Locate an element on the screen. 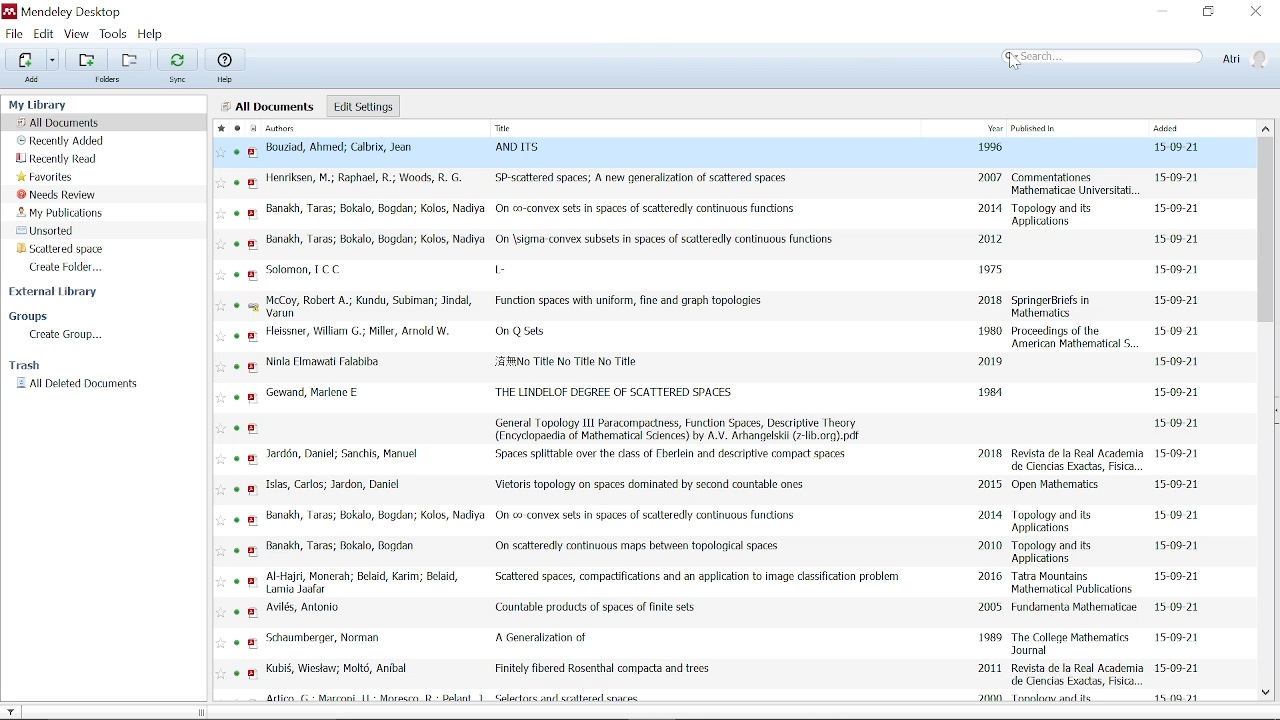 Image resolution: width=1280 pixels, height=720 pixels. Banakh, Taras; Bokalo, Bogdan On scatteredly continuous maps between topological spaces. 2010 Topology and its Applications 15-09-21 is located at coordinates (726, 550).